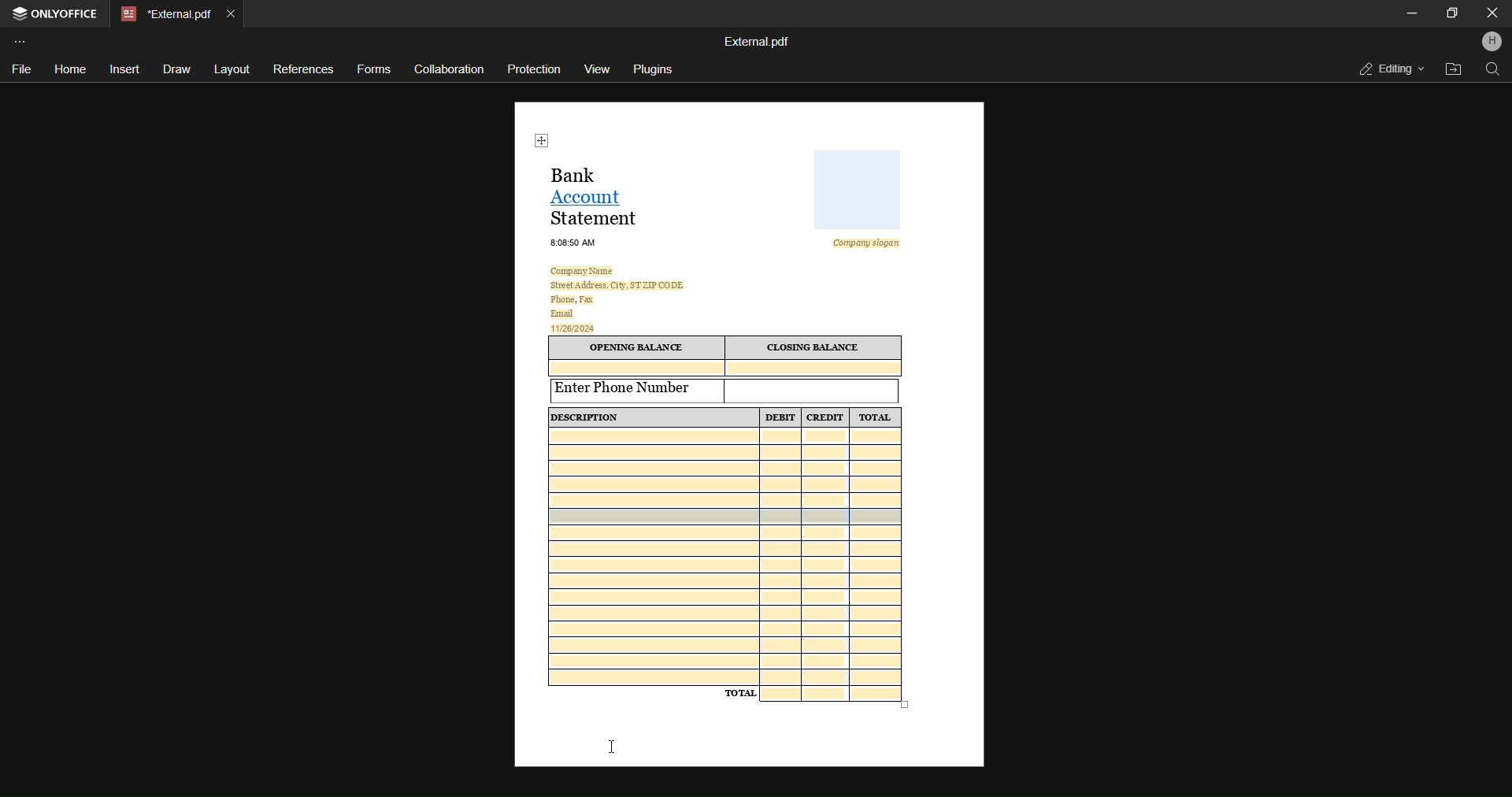  Describe the element at coordinates (635, 348) in the screenshot. I see `‘OPENING BALANCE` at that location.